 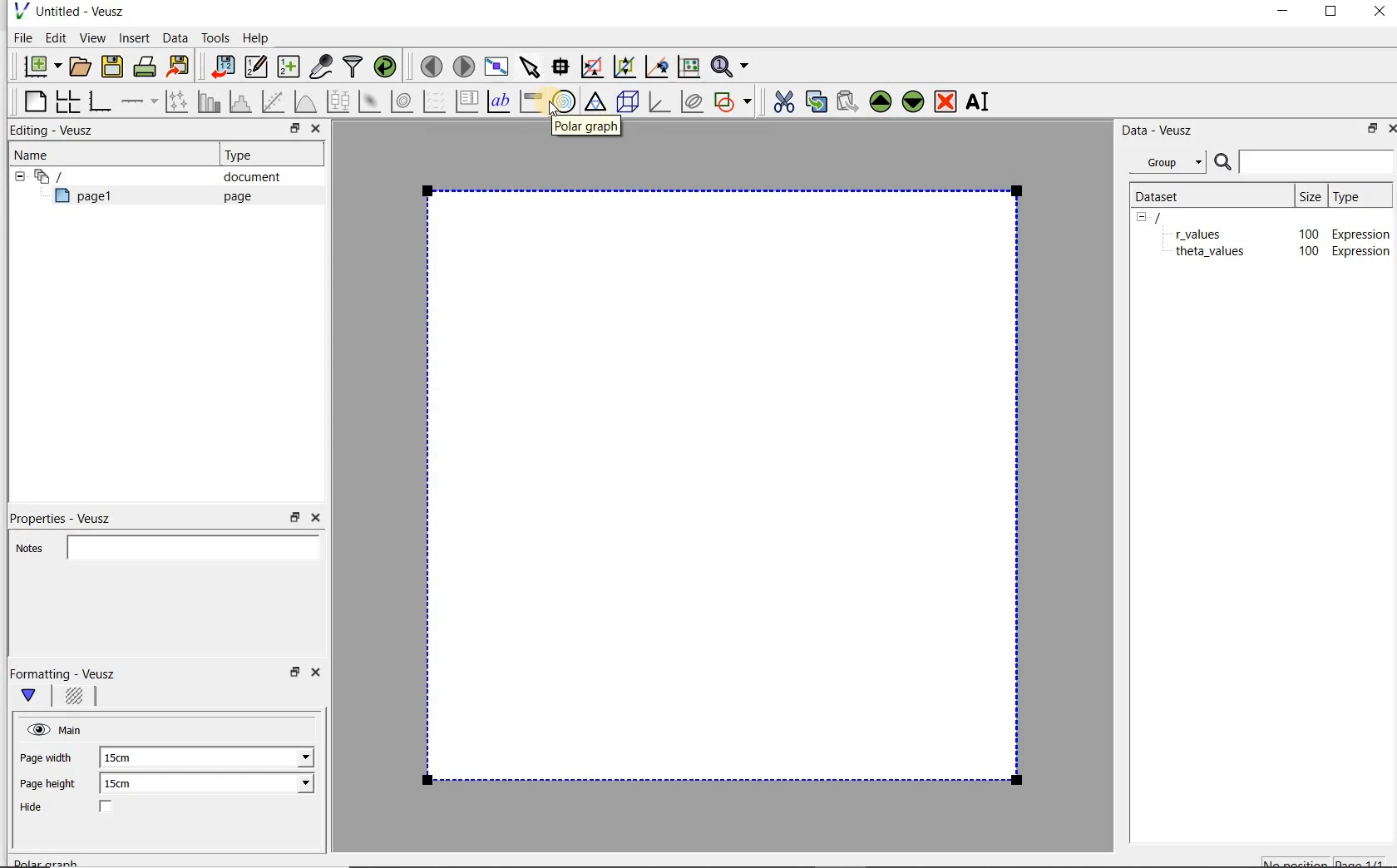 What do you see at coordinates (403, 101) in the screenshot?
I see `plot a 2d dataset as contours` at bounding box center [403, 101].